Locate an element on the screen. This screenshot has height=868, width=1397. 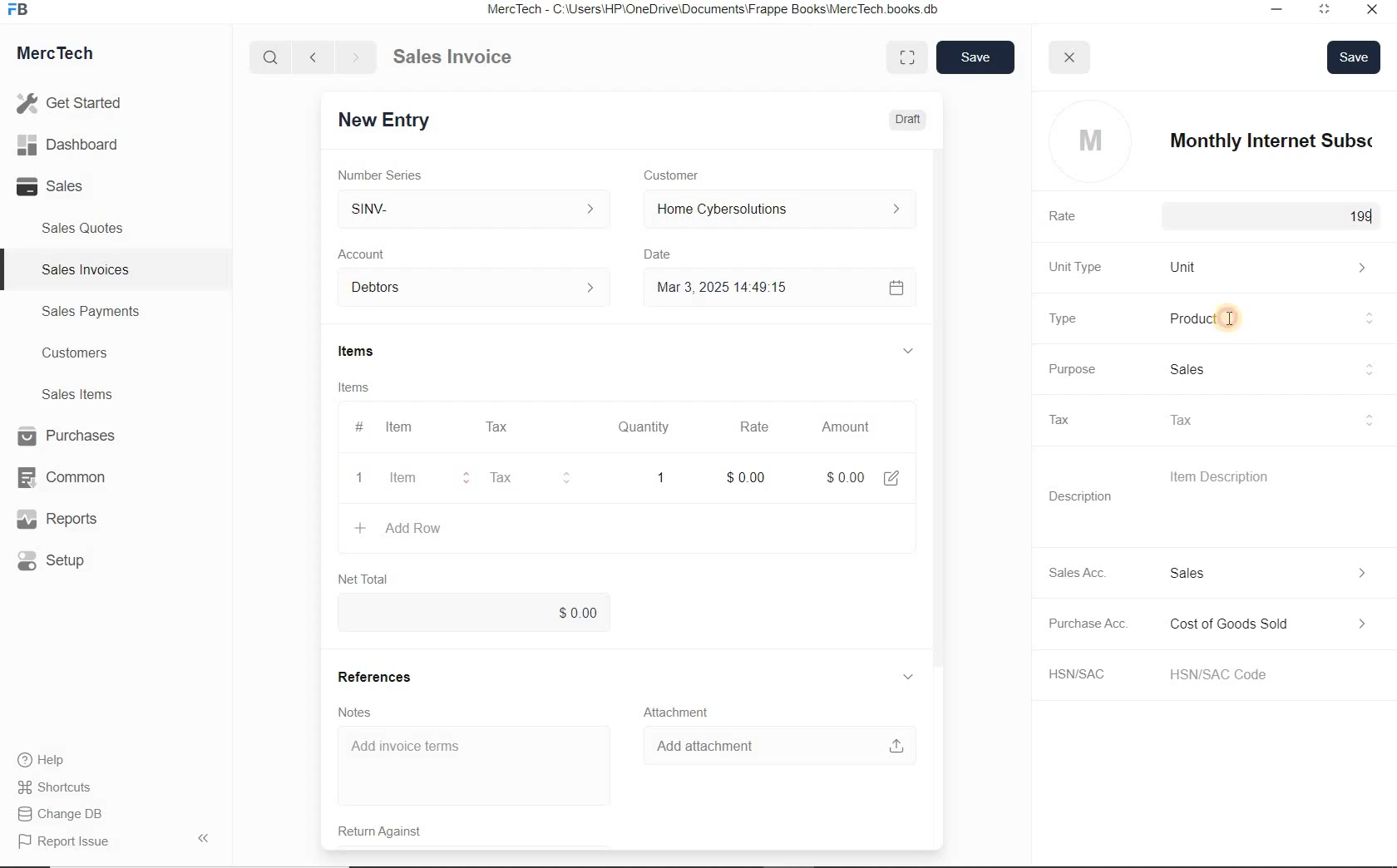
Rate is located at coordinates (1067, 217).